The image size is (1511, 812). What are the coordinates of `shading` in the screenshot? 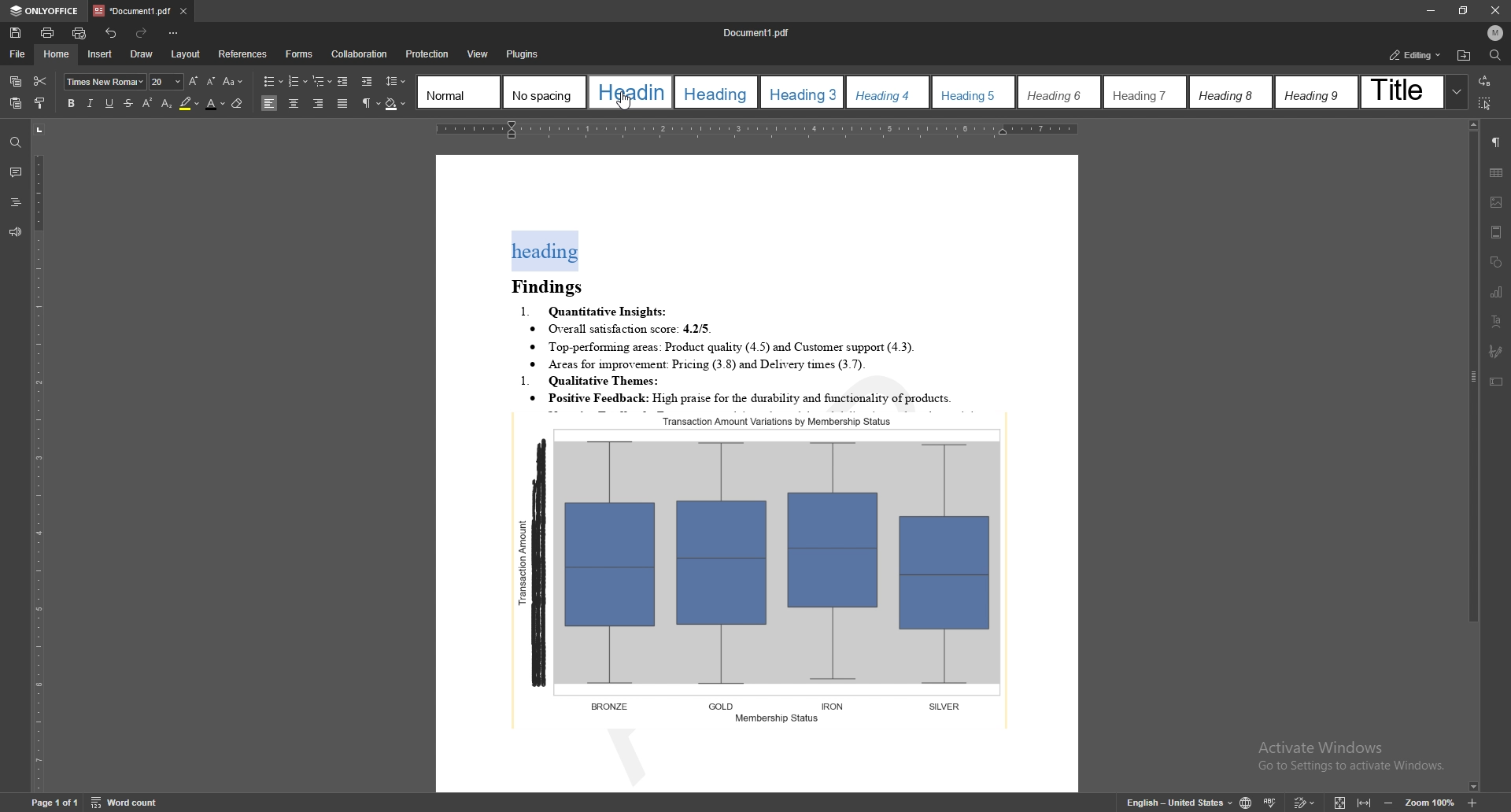 It's located at (396, 105).